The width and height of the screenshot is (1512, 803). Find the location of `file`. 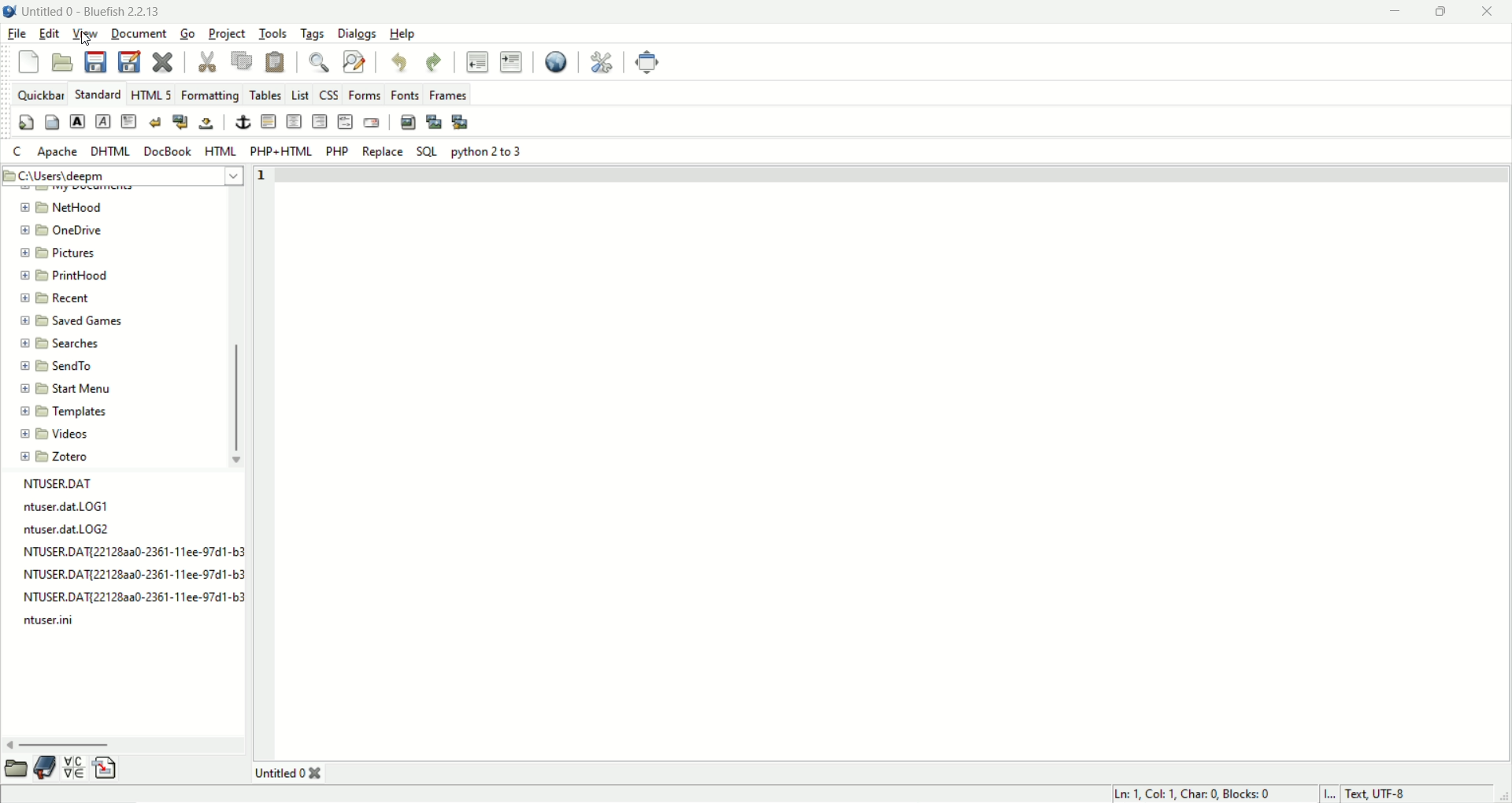

file is located at coordinates (131, 574).